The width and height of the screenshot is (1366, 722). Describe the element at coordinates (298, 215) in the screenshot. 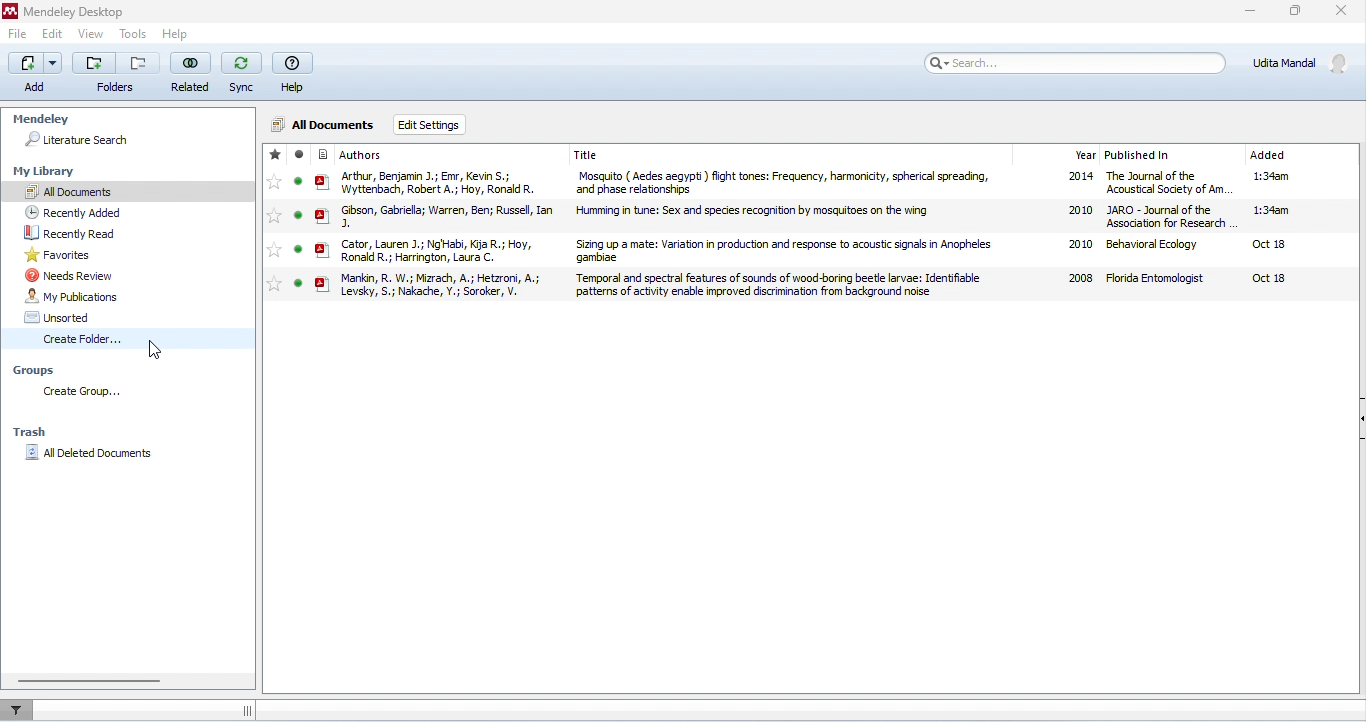

I see `mark as read` at that location.